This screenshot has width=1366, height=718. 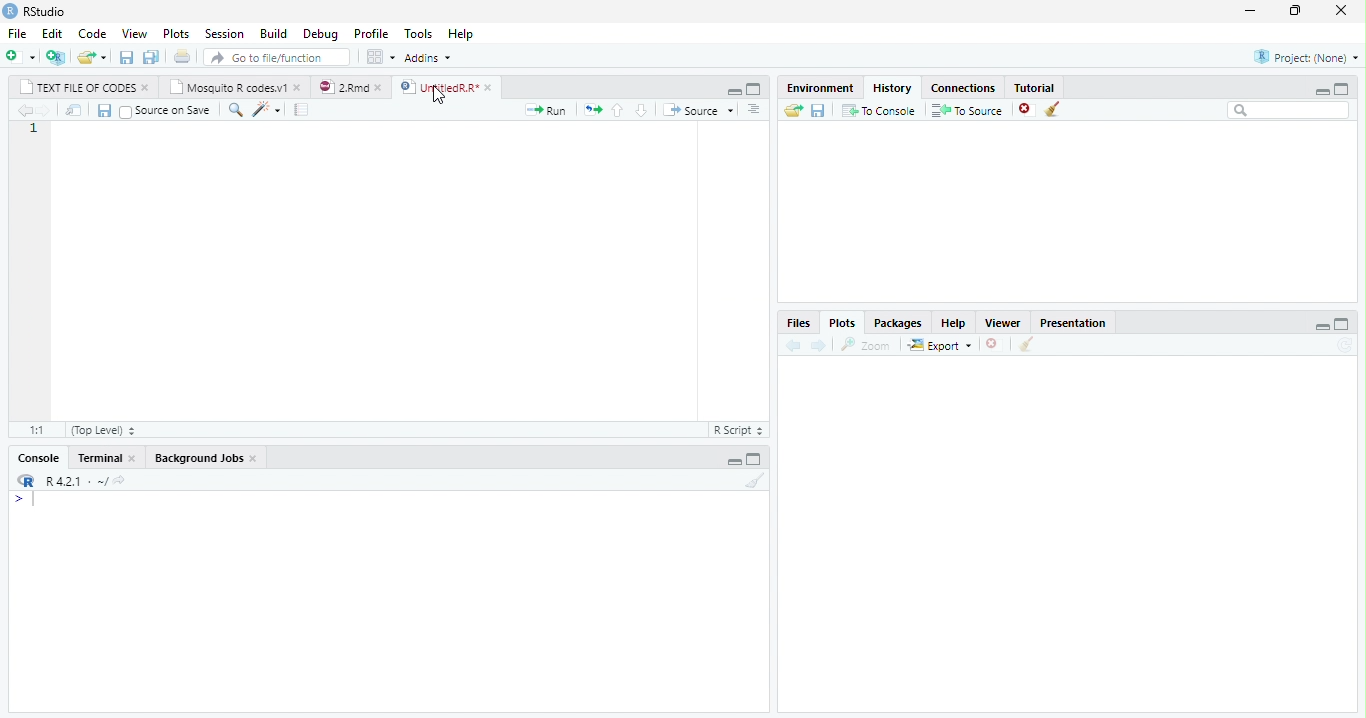 What do you see at coordinates (73, 112) in the screenshot?
I see `show in new window` at bounding box center [73, 112].